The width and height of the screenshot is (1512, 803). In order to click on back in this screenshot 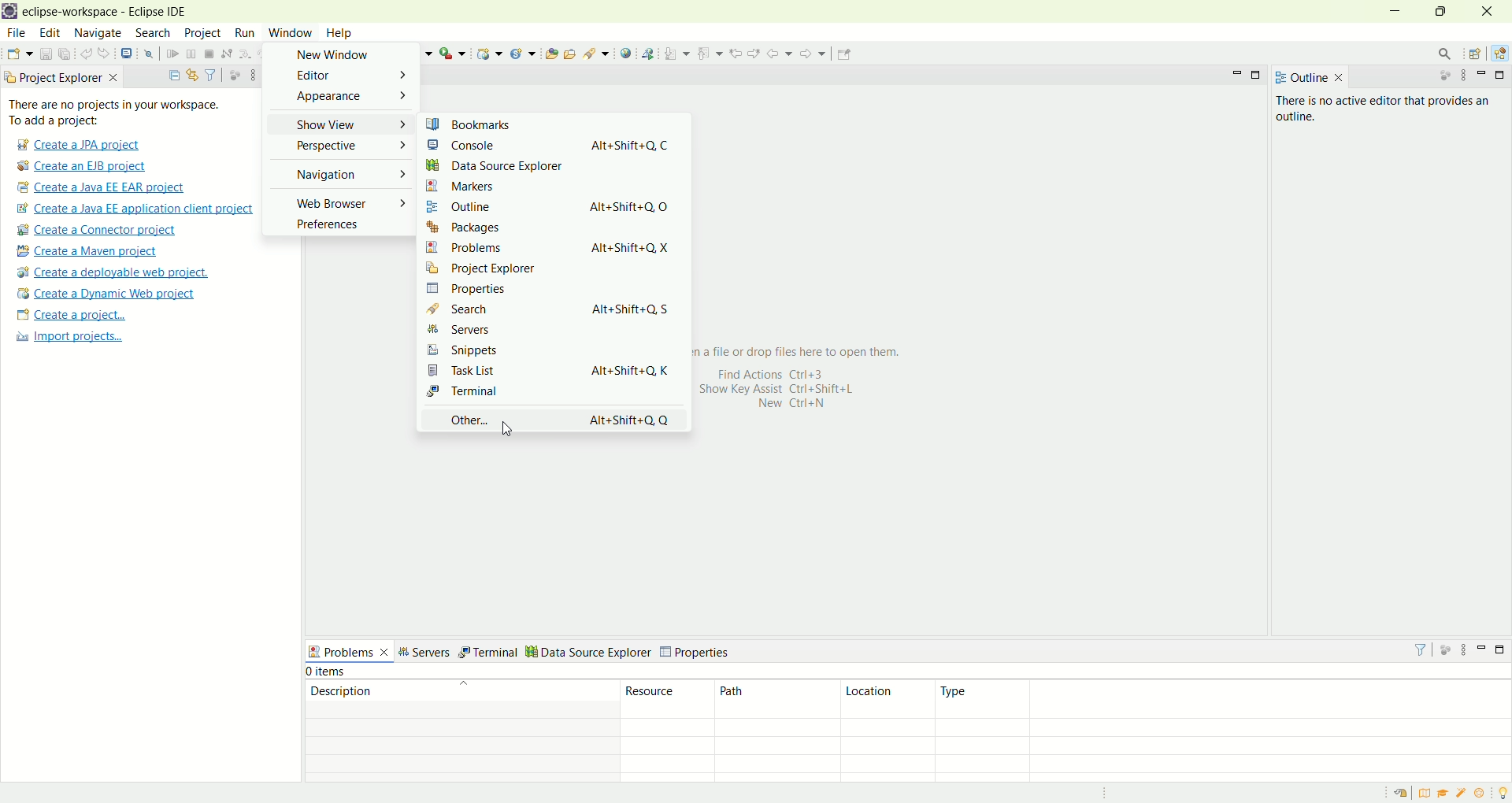, I will do `click(780, 53)`.